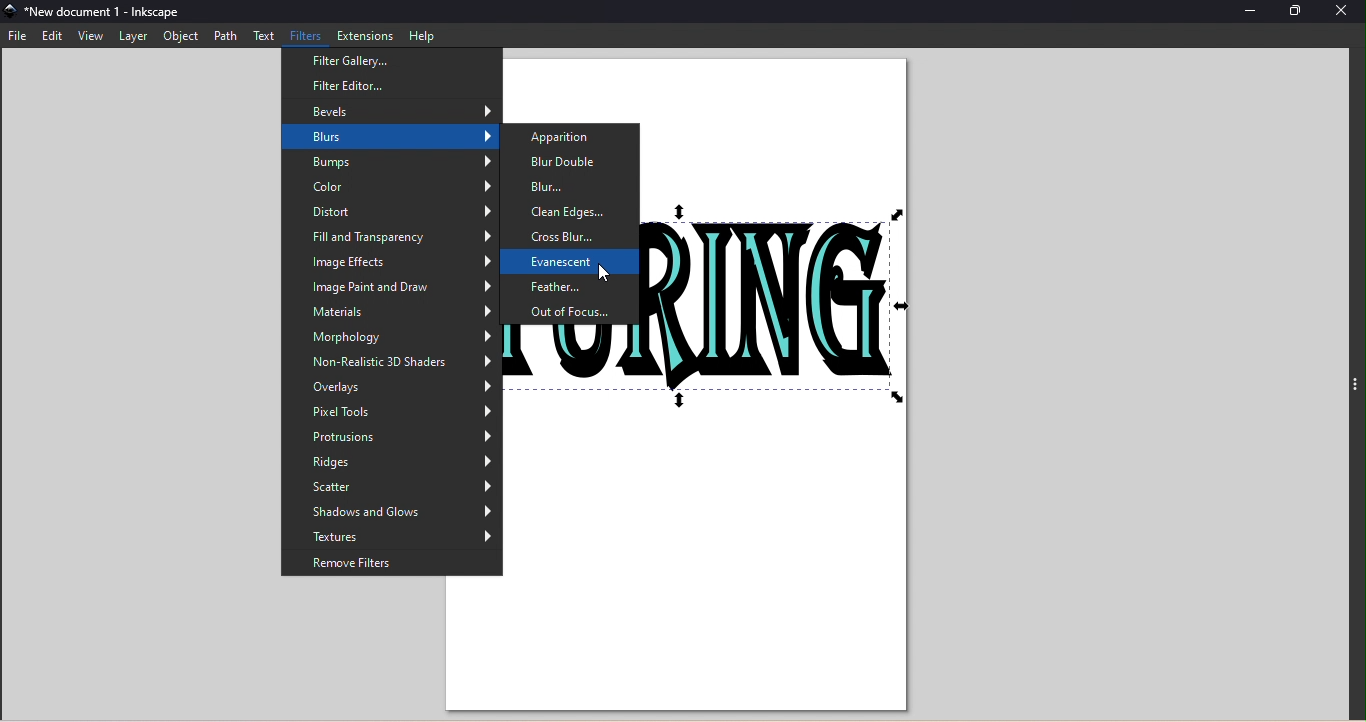 The height and width of the screenshot is (722, 1366). I want to click on Blurs, so click(386, 136).